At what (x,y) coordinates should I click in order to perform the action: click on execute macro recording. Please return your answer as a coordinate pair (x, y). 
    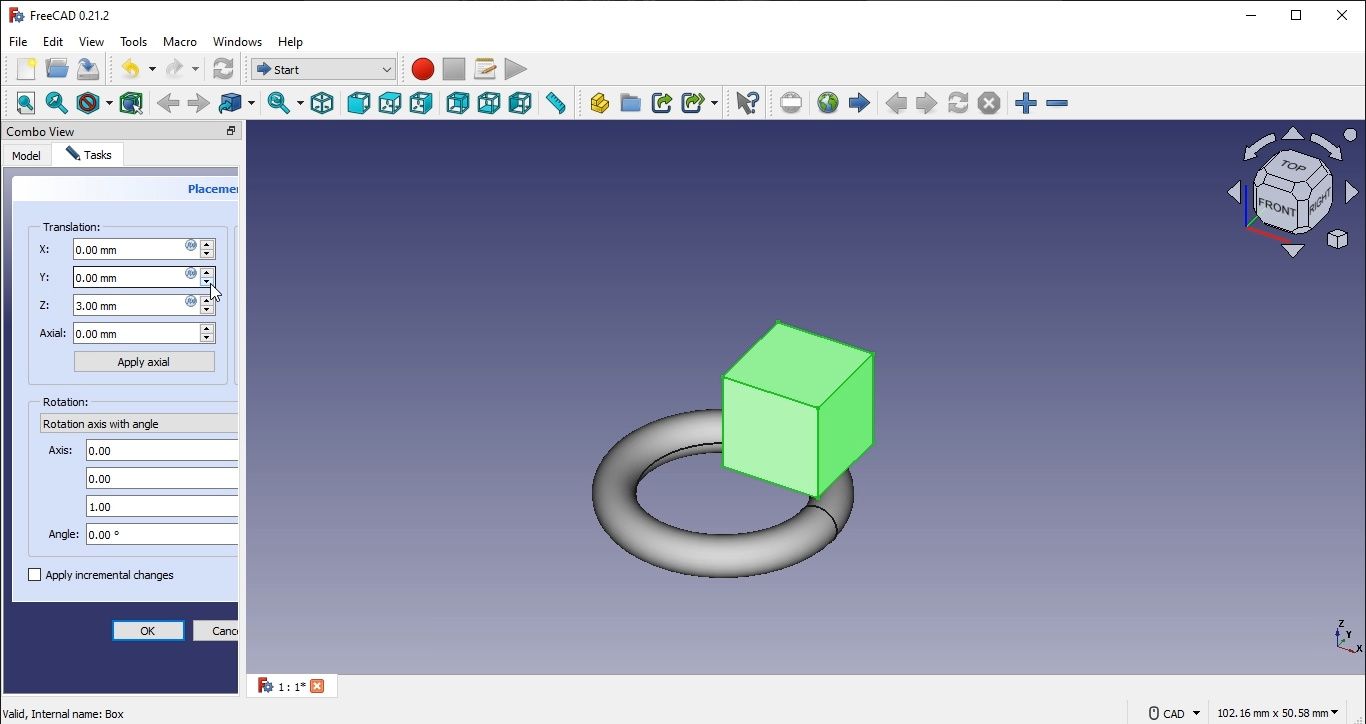
    Looking at the image, I should click on (515, 70).